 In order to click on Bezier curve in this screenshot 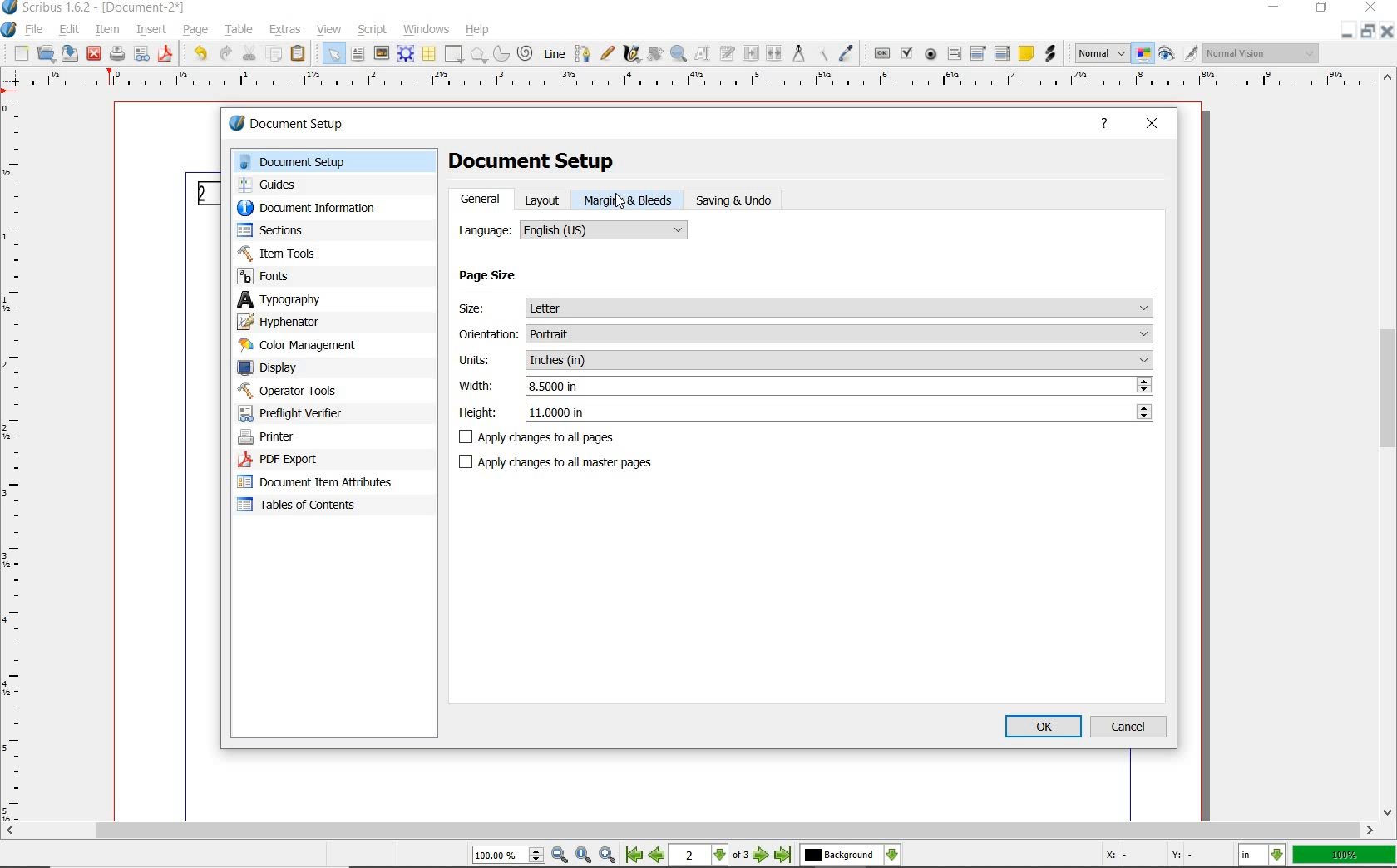, I will do `click(583, 53)`.